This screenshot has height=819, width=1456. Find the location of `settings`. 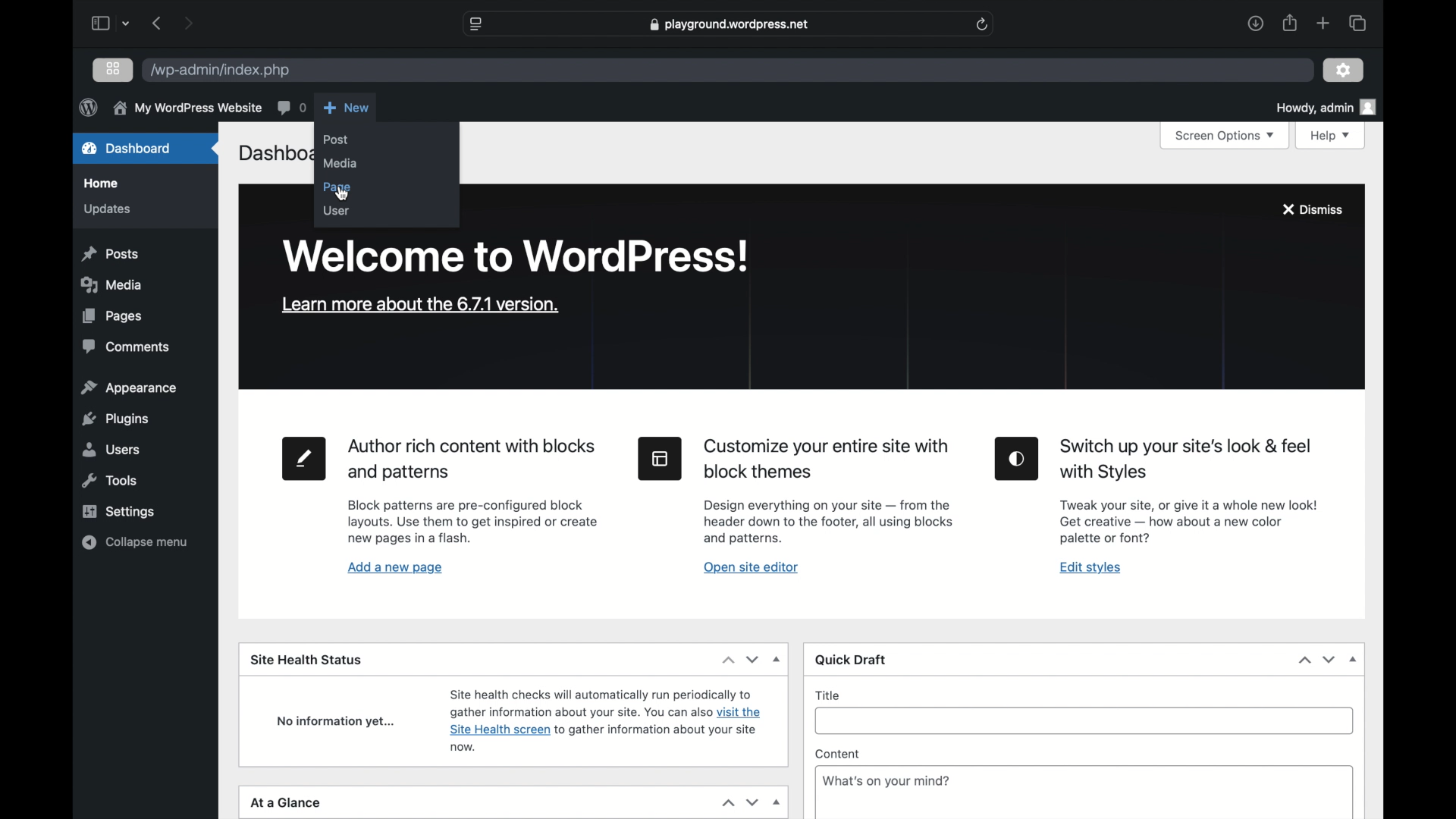

settings is located at coordinates (1343, 70).